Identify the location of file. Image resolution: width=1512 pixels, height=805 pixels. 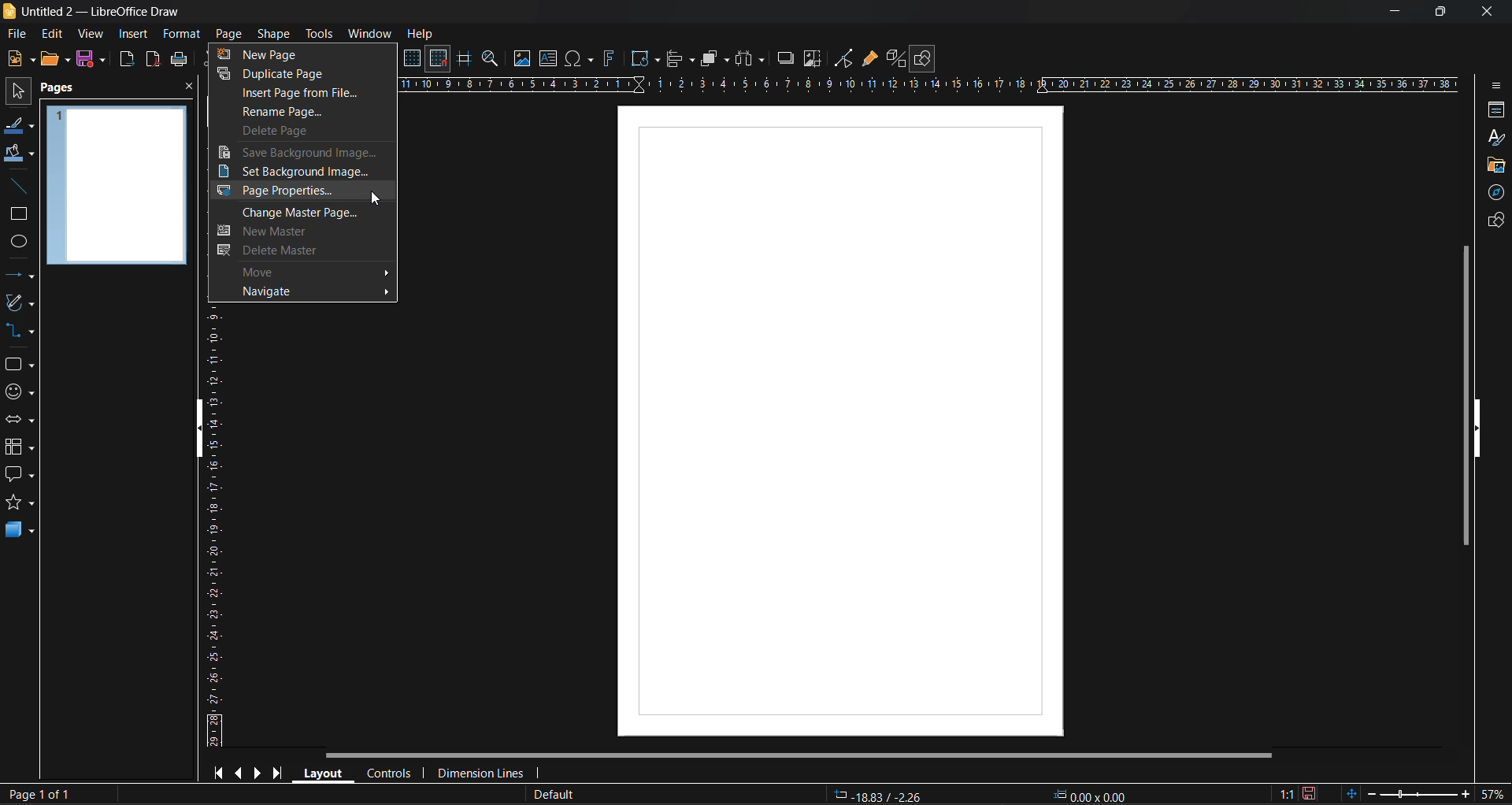
(19, 34).